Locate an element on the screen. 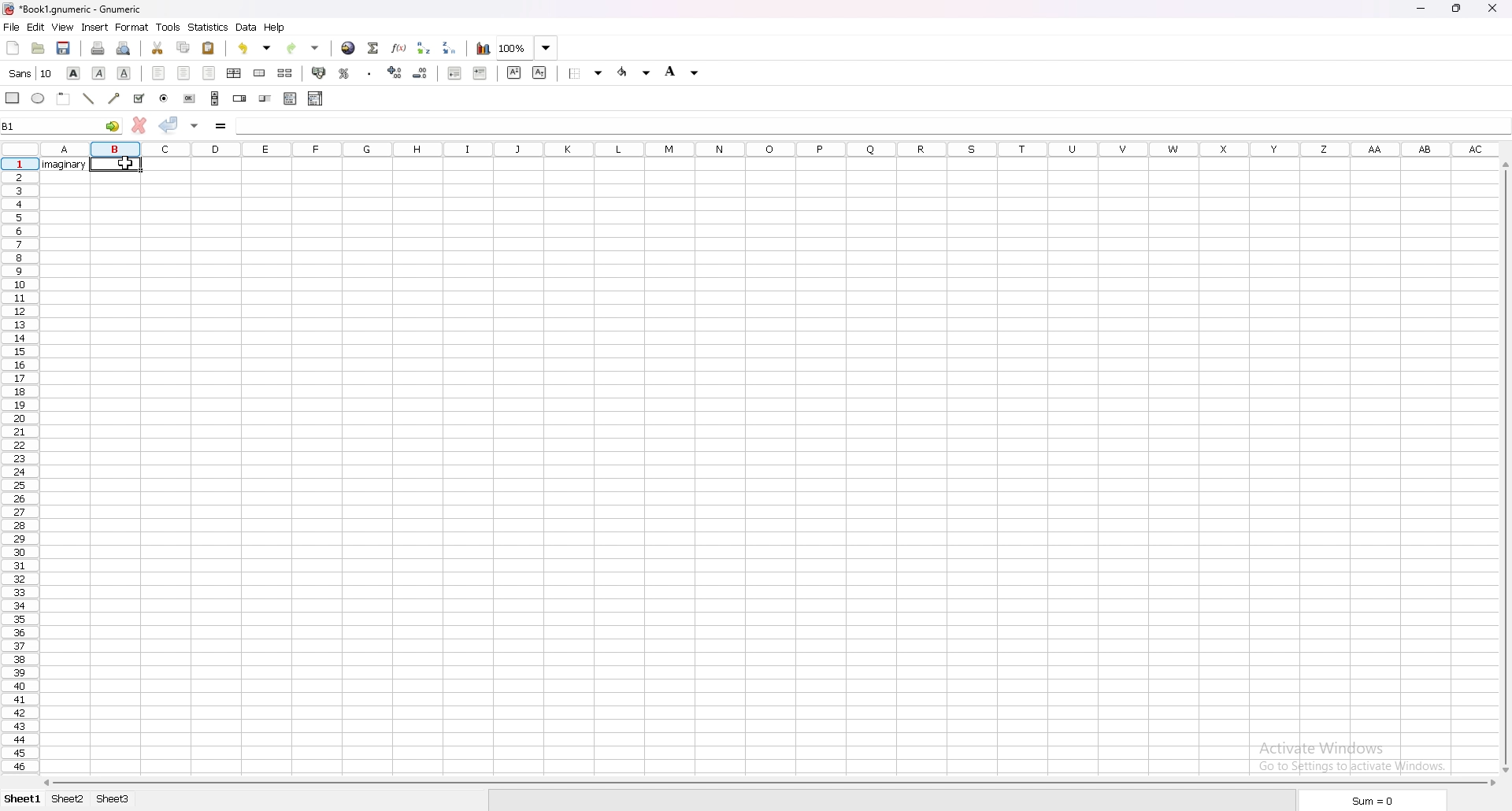  close is located at coordinates (1492, 7).